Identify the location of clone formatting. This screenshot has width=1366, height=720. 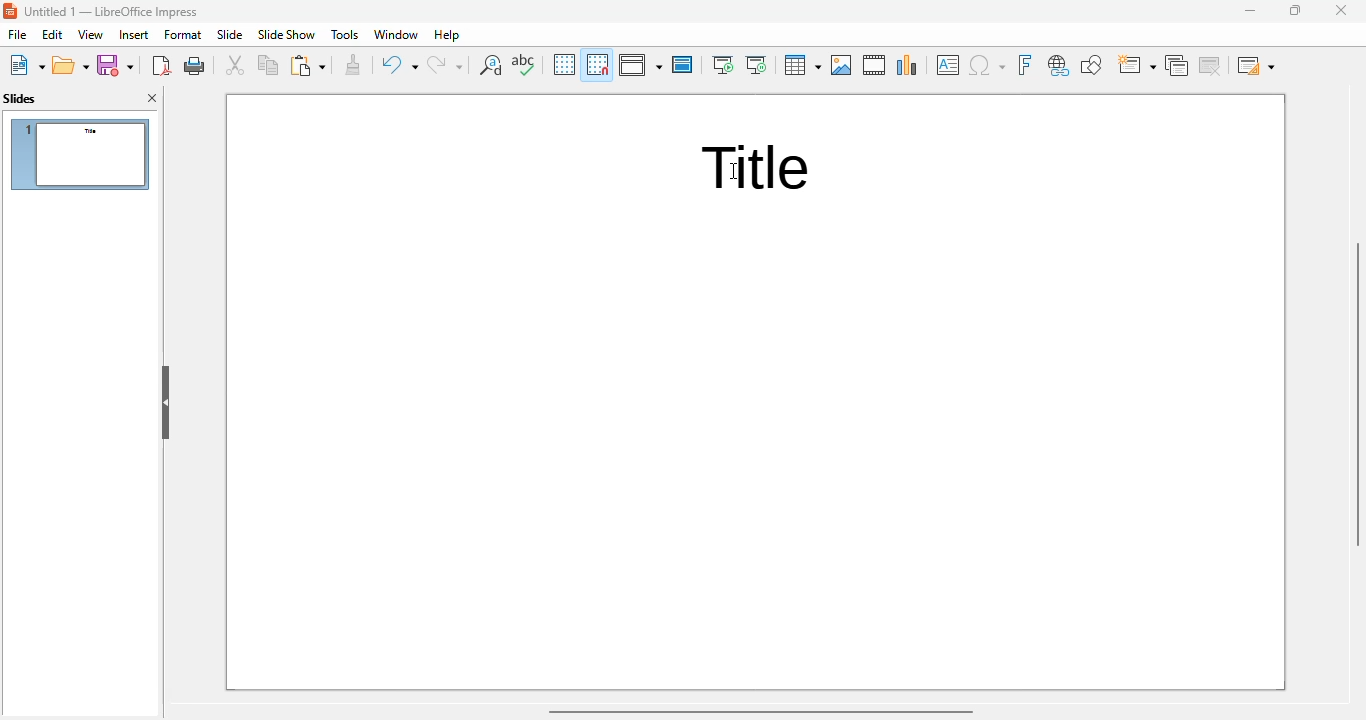
(354, 65).